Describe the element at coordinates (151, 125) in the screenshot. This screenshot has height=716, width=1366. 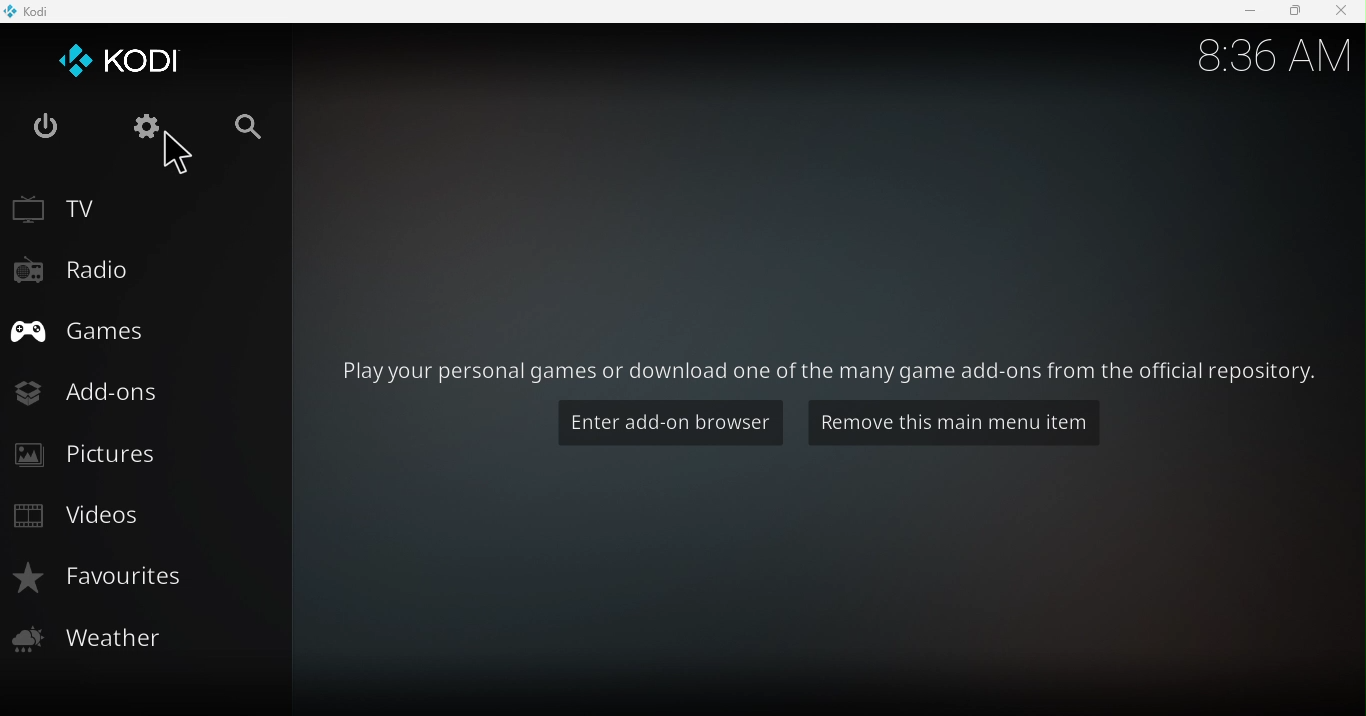
I see `Settings` at that location.